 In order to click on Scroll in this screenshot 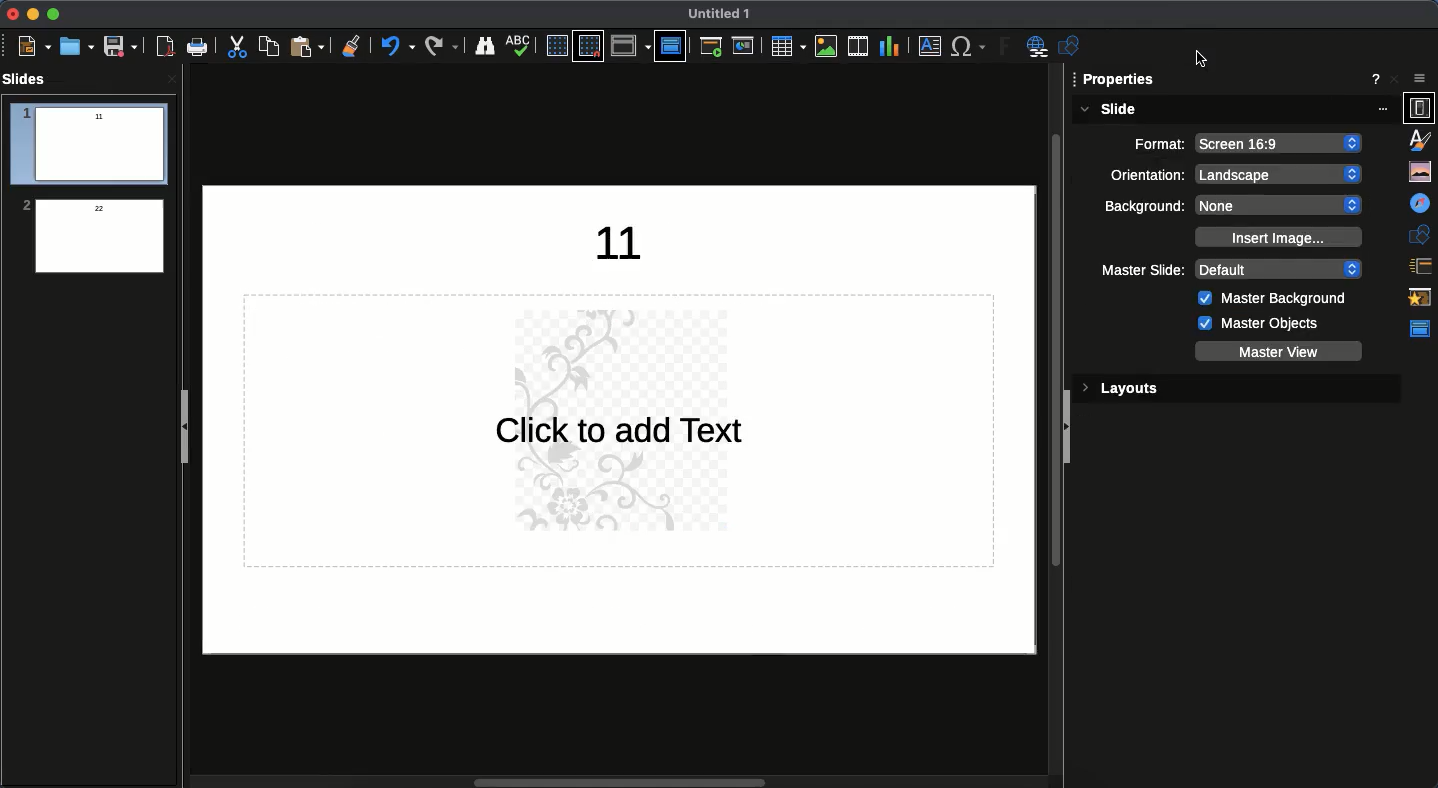, I will do `click(1058, 414)`.